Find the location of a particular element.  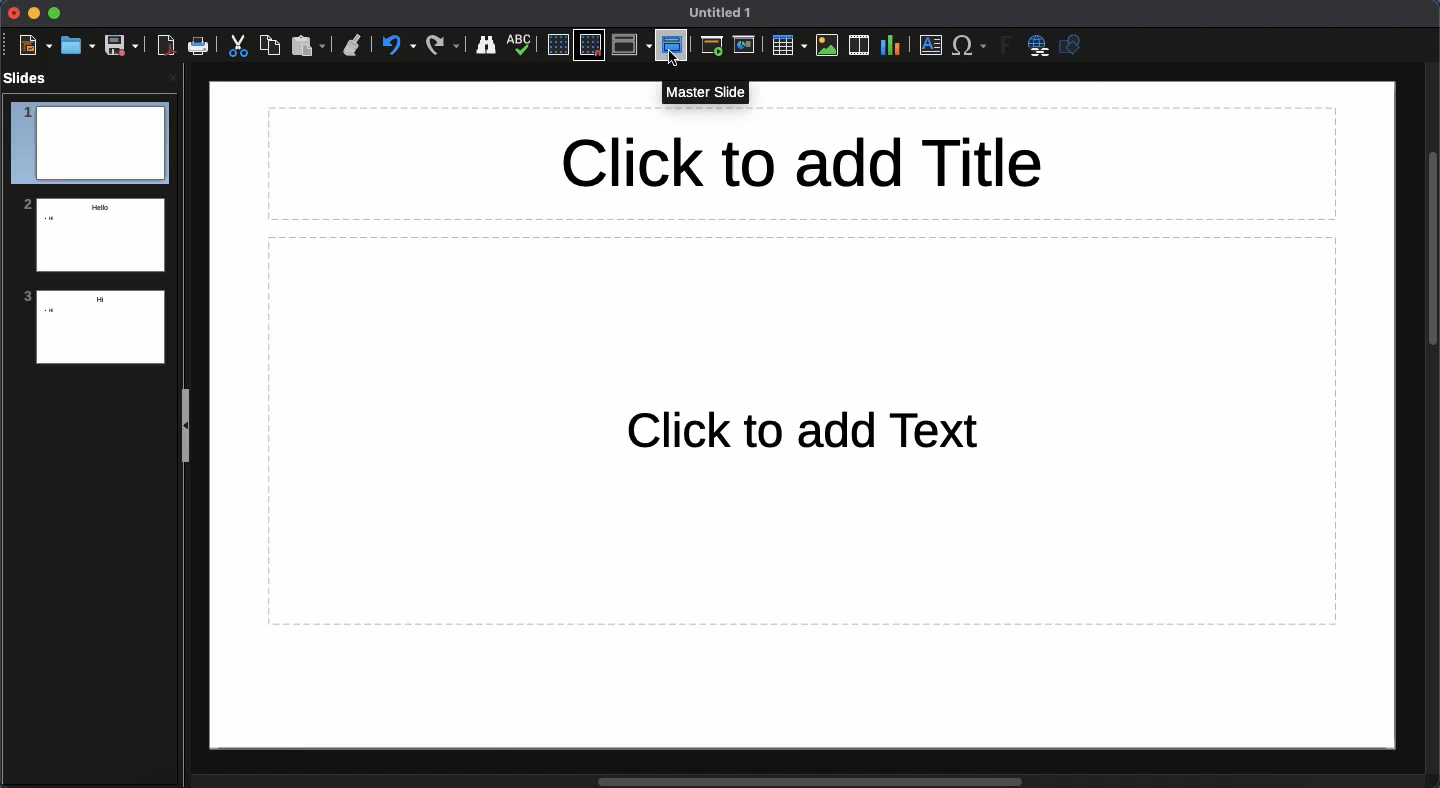

Clone formatting is located at coordinates (355, 46).